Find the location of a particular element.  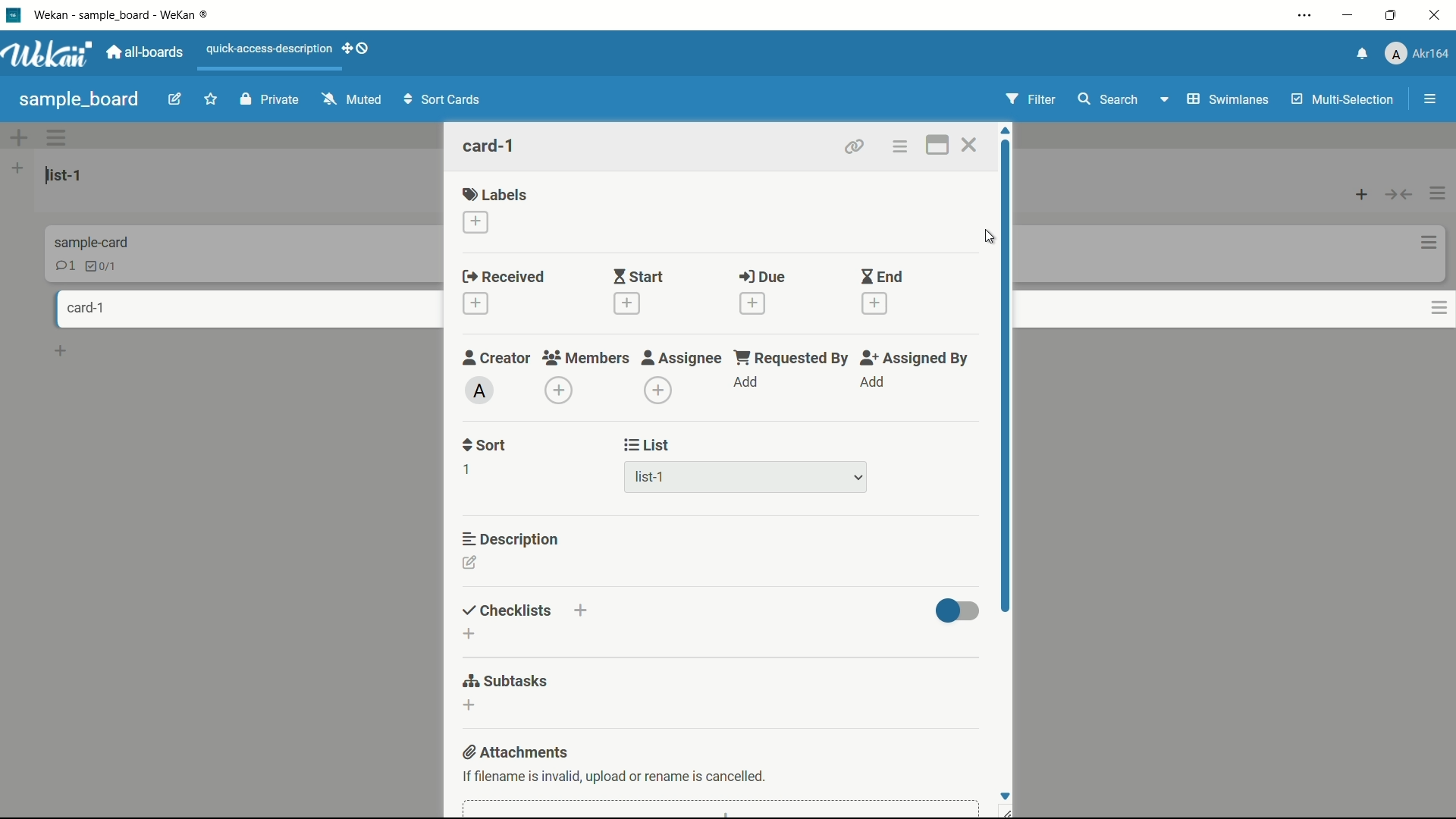

description is located at coordinates (507, 539).